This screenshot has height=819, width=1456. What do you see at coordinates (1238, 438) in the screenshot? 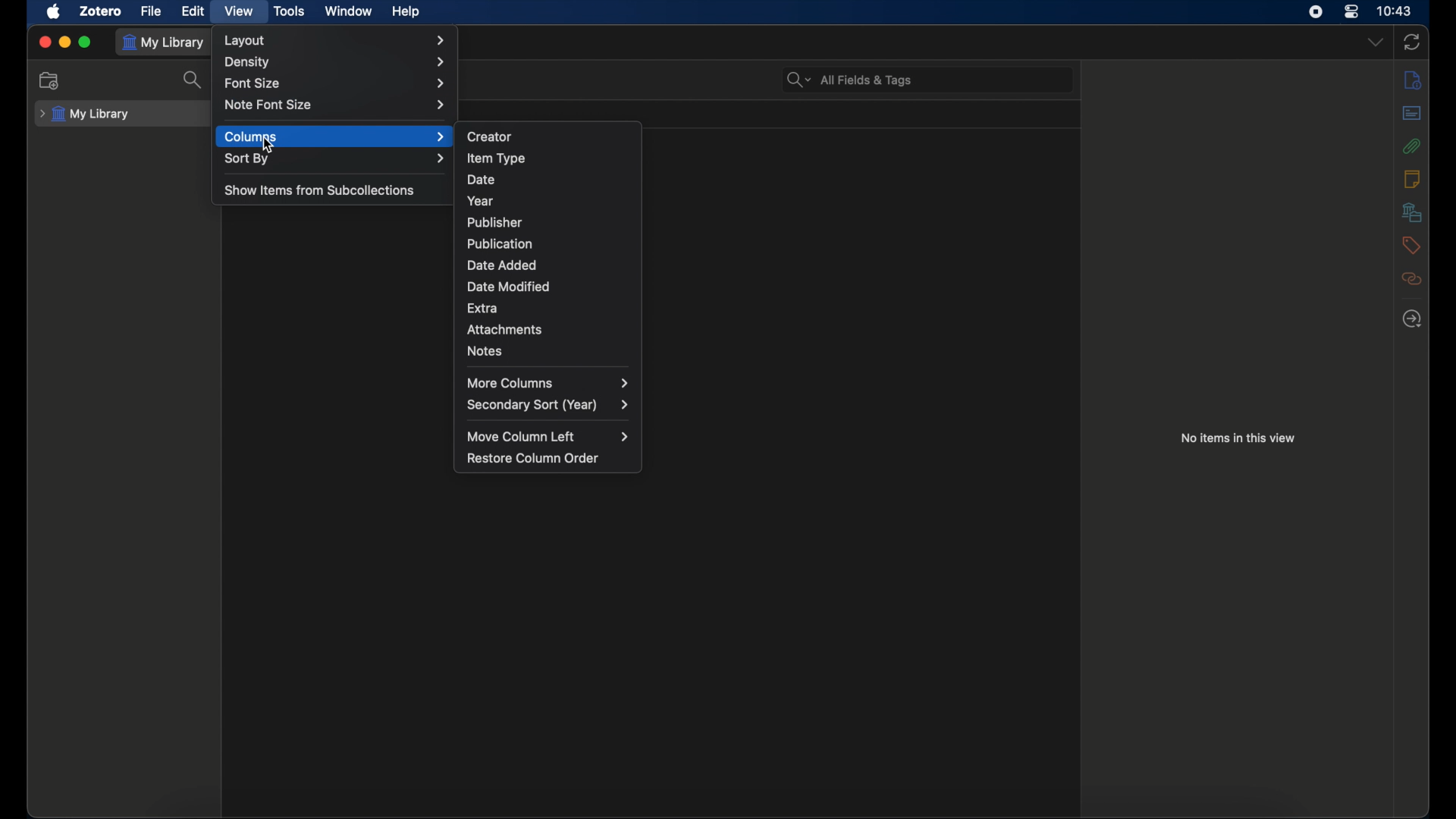
I see `no items in this view` at bounding box center [1238, 438].